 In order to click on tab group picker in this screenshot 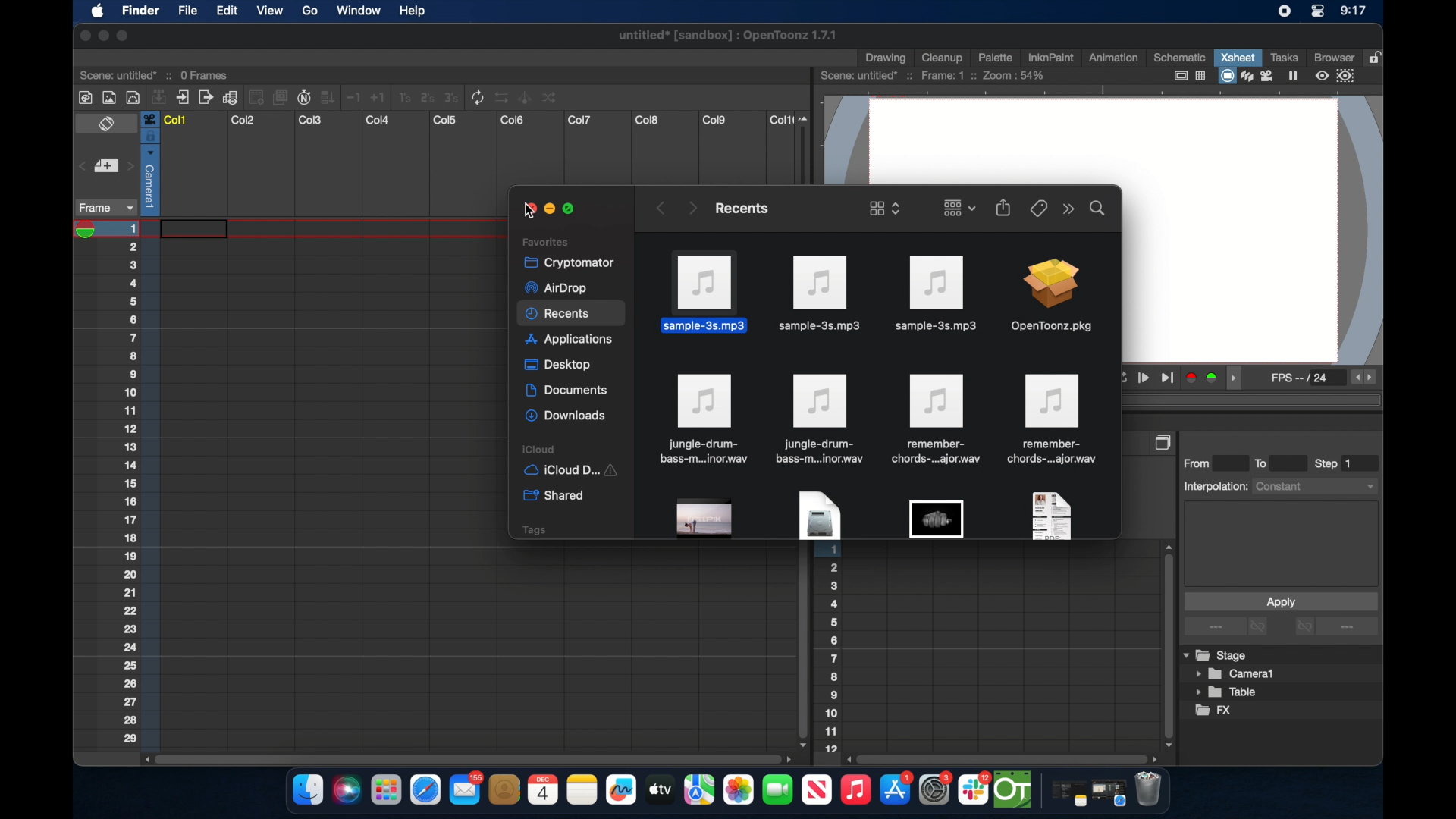, I will do `click(959, 207)`.